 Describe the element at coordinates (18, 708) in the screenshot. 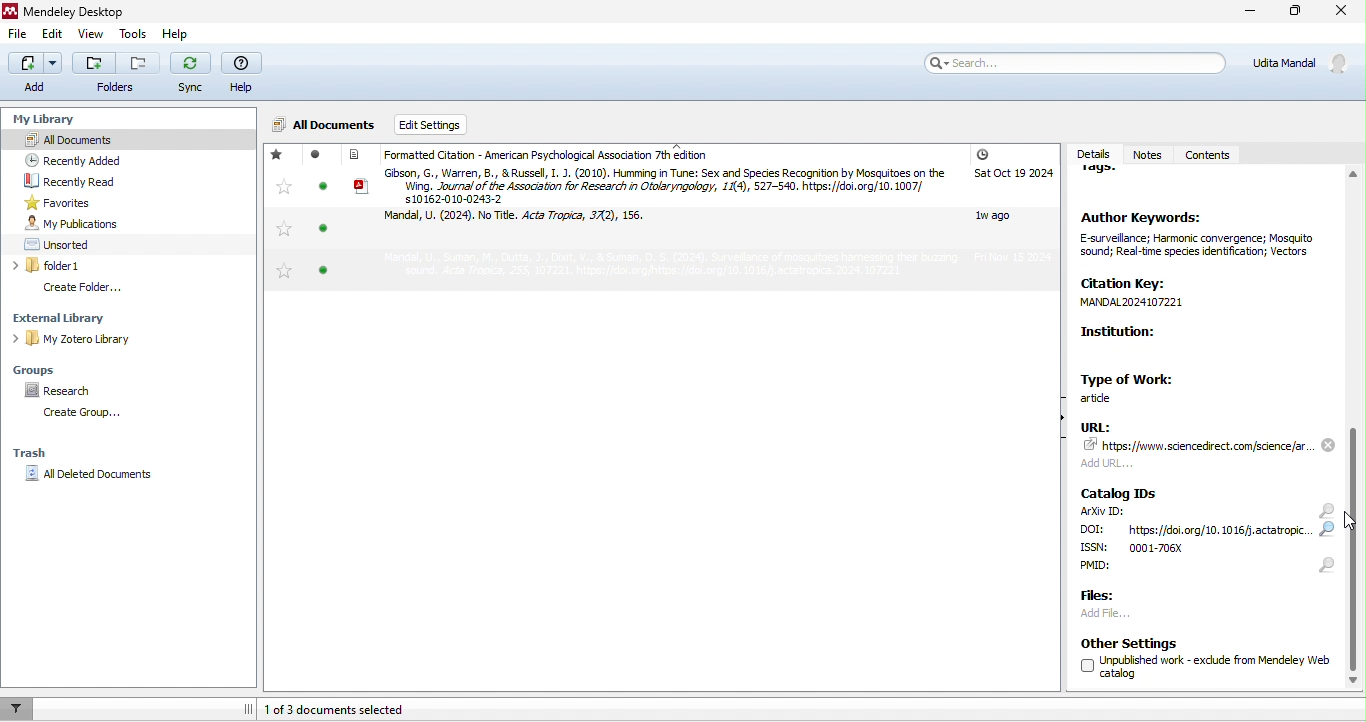

I see `filter` at that location.